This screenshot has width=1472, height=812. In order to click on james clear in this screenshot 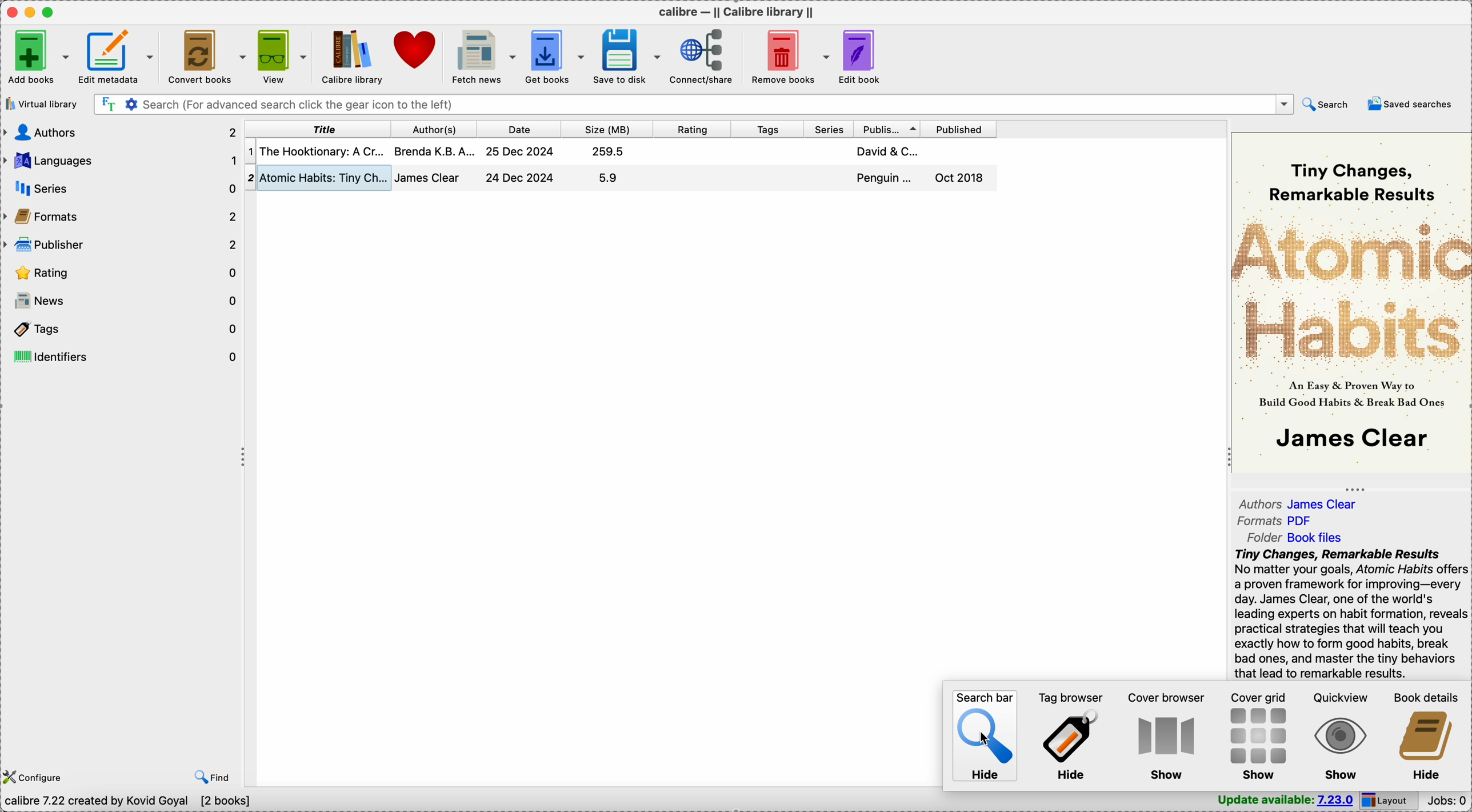, I will do `click(429, 177)`.